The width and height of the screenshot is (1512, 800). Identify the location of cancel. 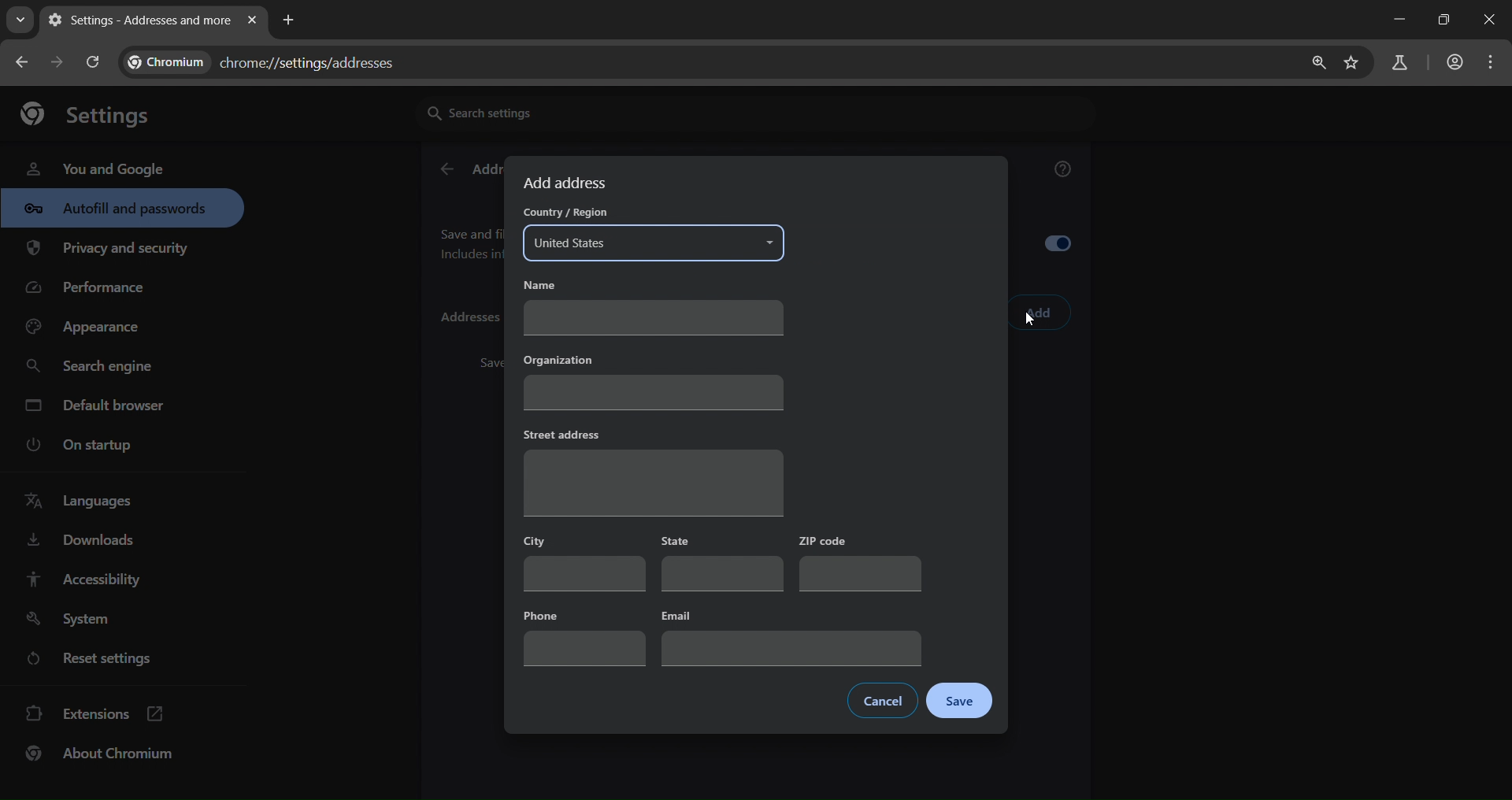
(884, 699).